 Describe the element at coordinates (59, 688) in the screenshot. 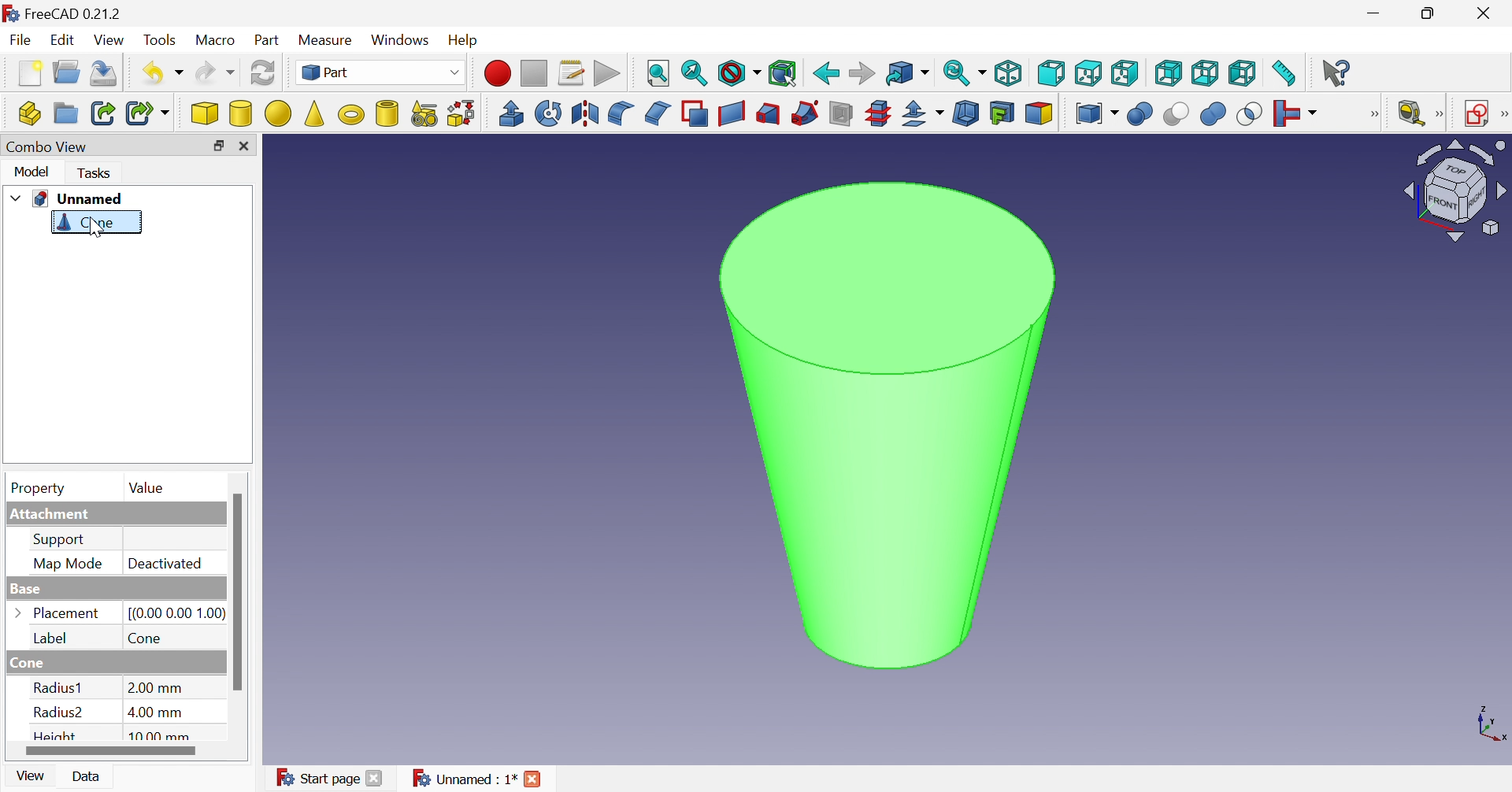

I see `Radius1` at that location.